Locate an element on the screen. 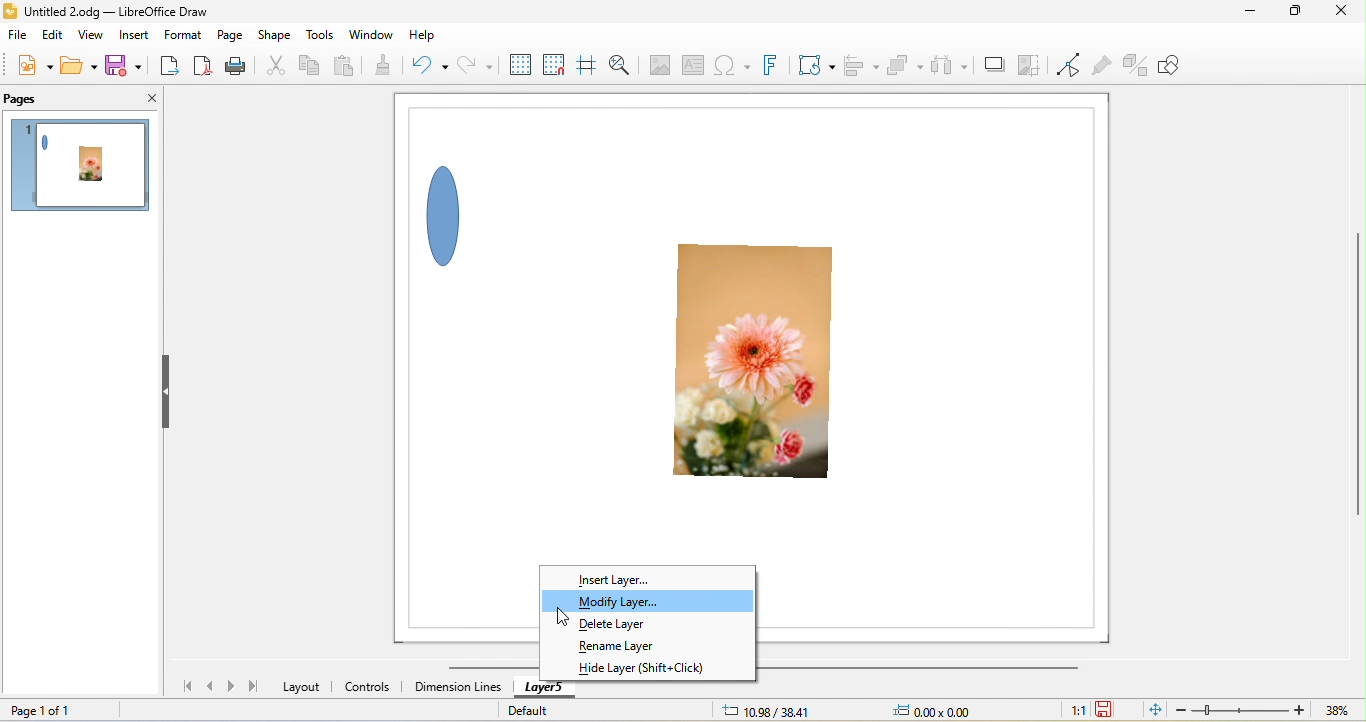 Image resolution: width=1366 pixels, height=722 pixels. select at least three object to distribute is located at coordinates (950, 64).